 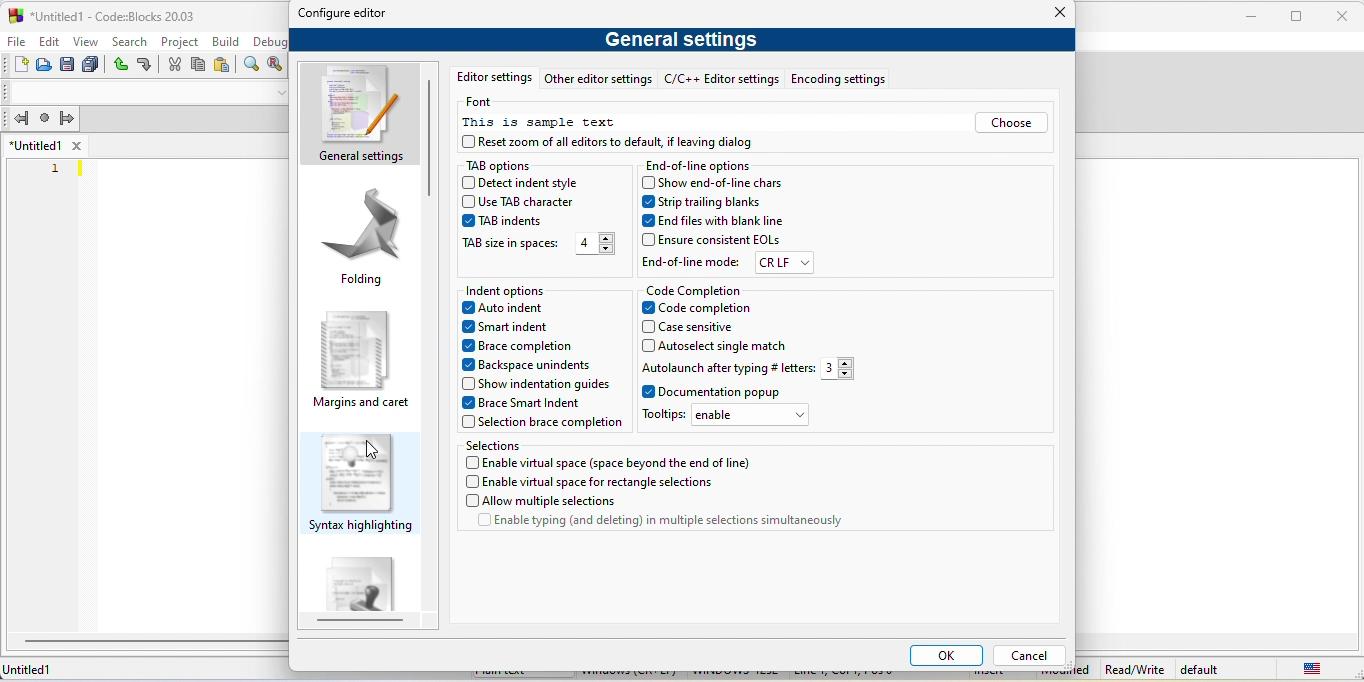 I want to click on file, so click(x=14, y=41).